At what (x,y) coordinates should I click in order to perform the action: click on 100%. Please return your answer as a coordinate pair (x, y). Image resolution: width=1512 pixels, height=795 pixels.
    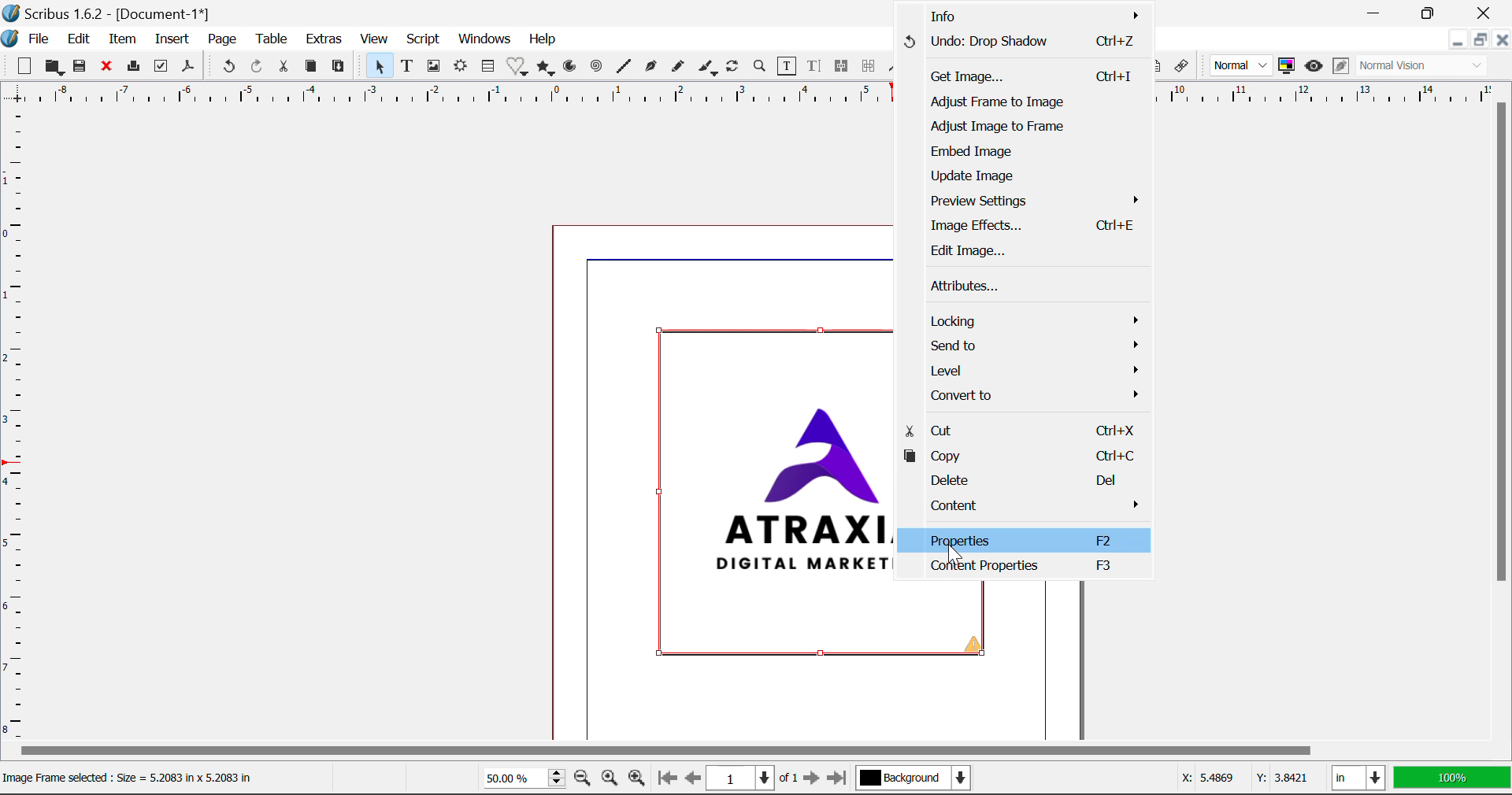
    Looking at the image, I should click on (1454, 778).